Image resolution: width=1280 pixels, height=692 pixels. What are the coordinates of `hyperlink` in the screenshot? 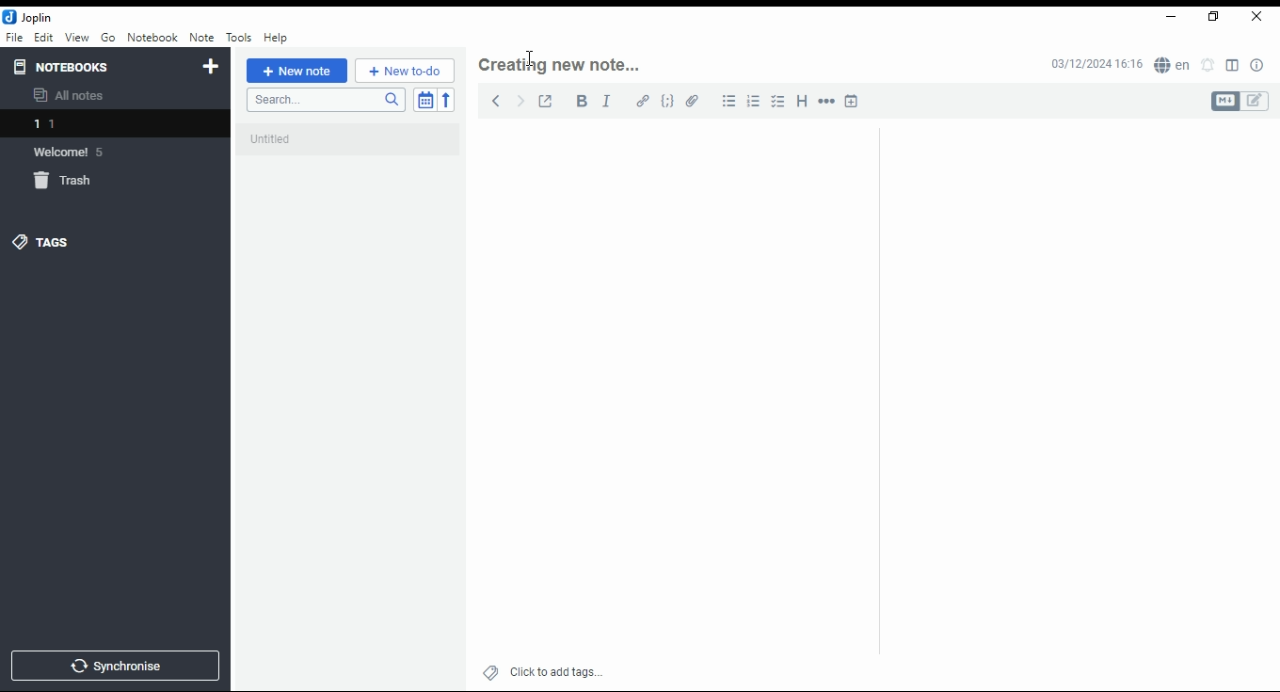 It's located at (643, 100).